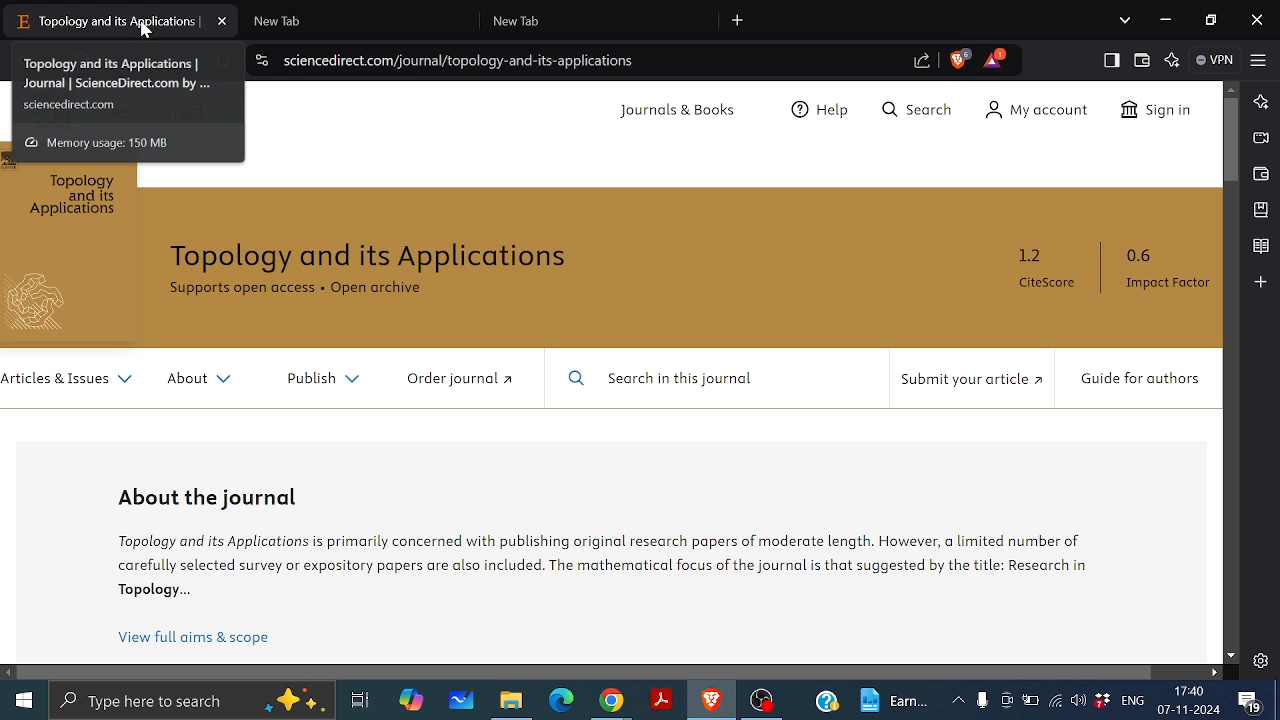 The width and height of the screenshot is (1280, 720). Describe the element at coordinates (385, 274) in the screenshot. I see `Topology and its Applications
Supports open access - Open archive` at that location.